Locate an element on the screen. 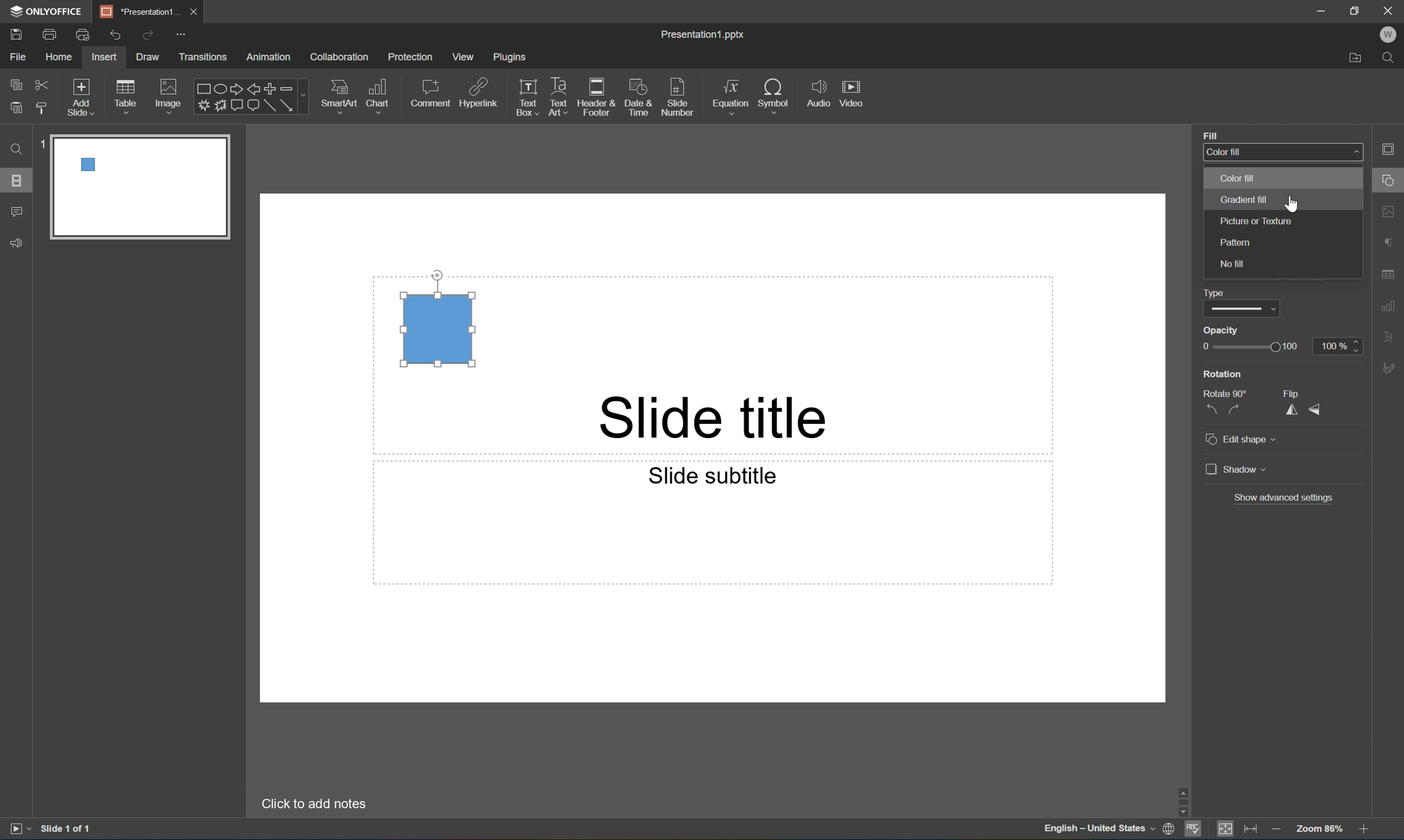 This screenshot has height=840, width=1404. Find is located at coordinates (16, 149).